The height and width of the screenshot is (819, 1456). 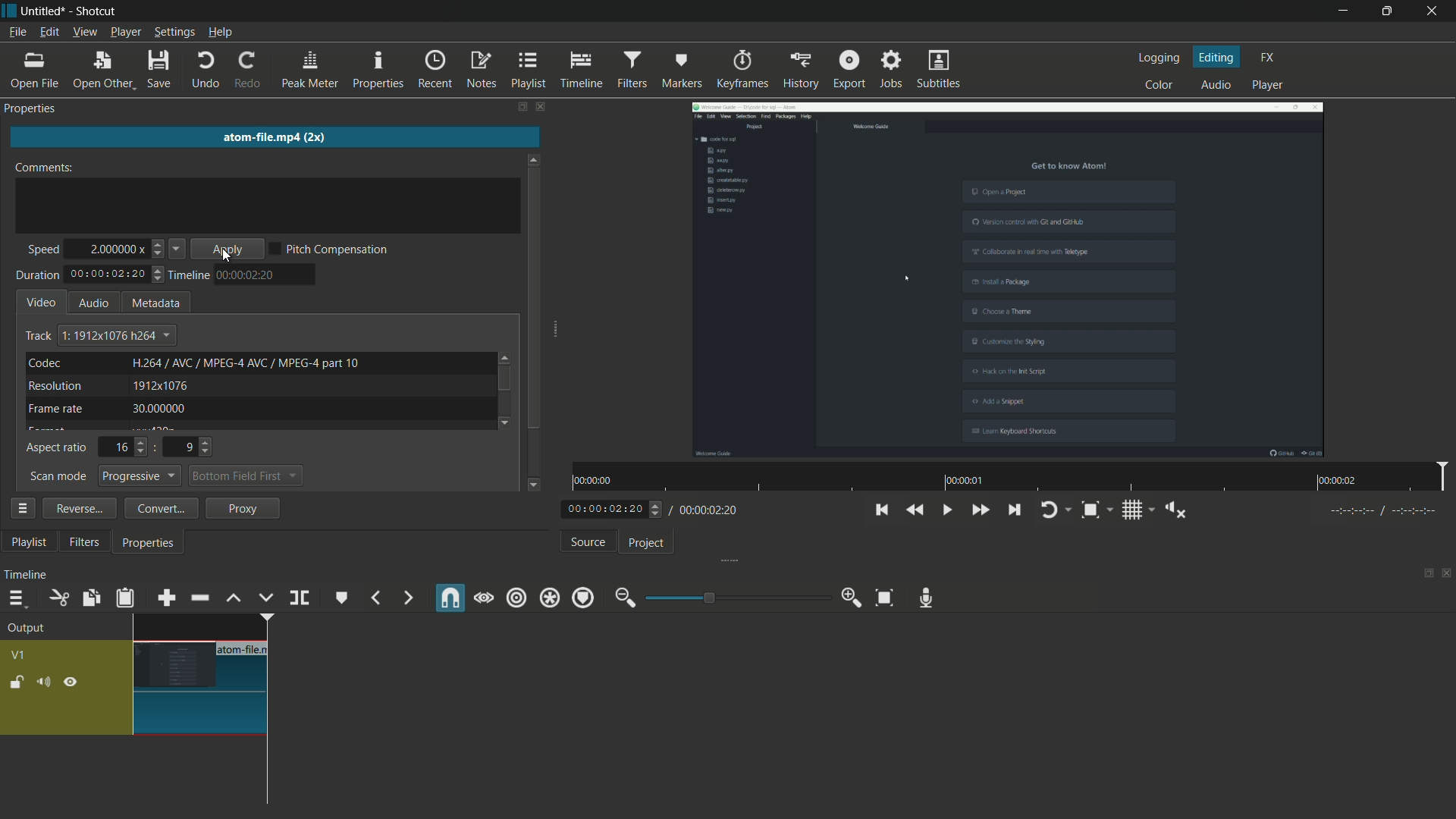 What do you see at coordinates (982, 511) in the screenshot?
I see `quickly play forward` at bounding box center [982, 511].